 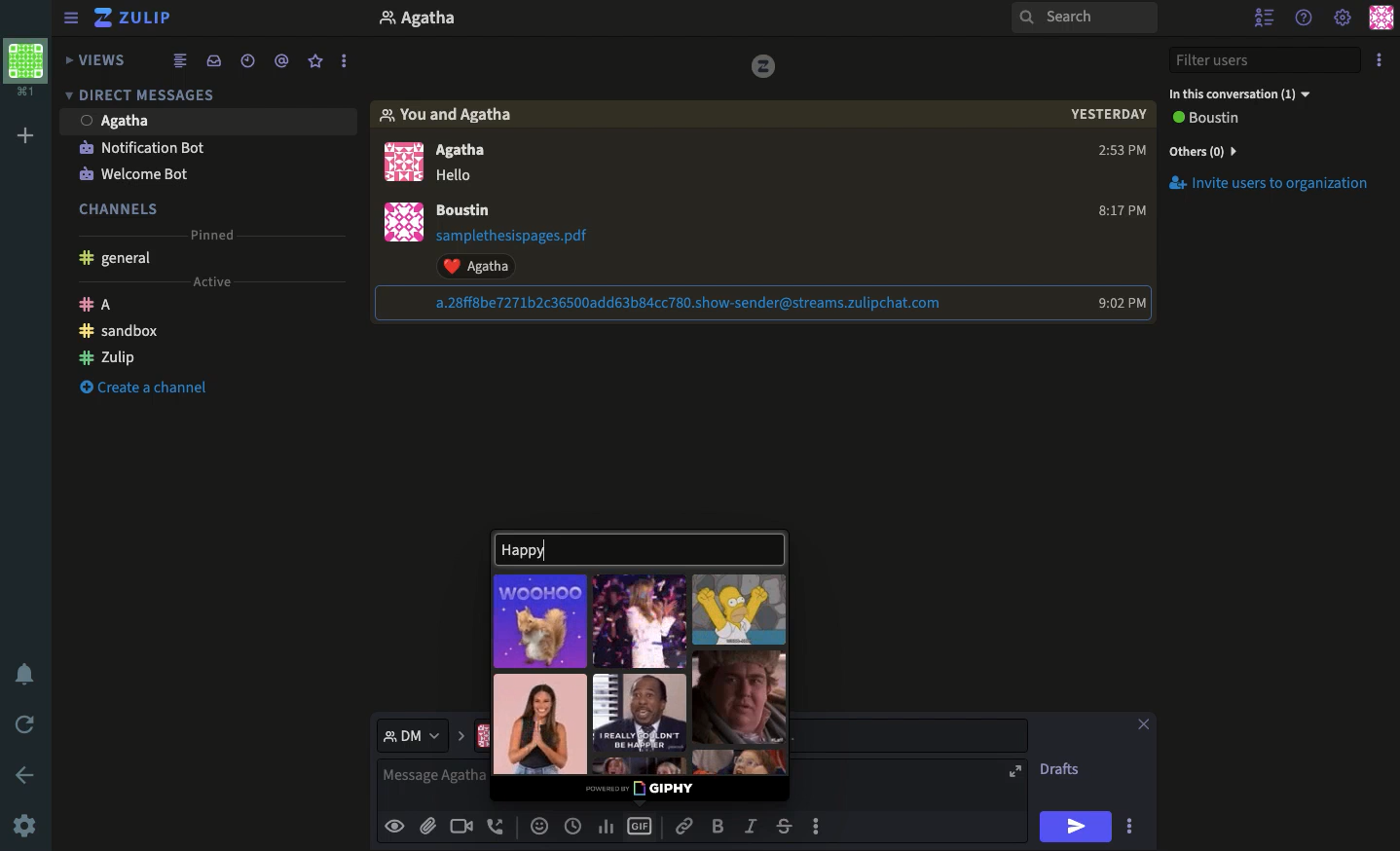 What do you see at coordinates (248, 63) in the screenshot?
I see `Global time` at bounding box center [248, 63].